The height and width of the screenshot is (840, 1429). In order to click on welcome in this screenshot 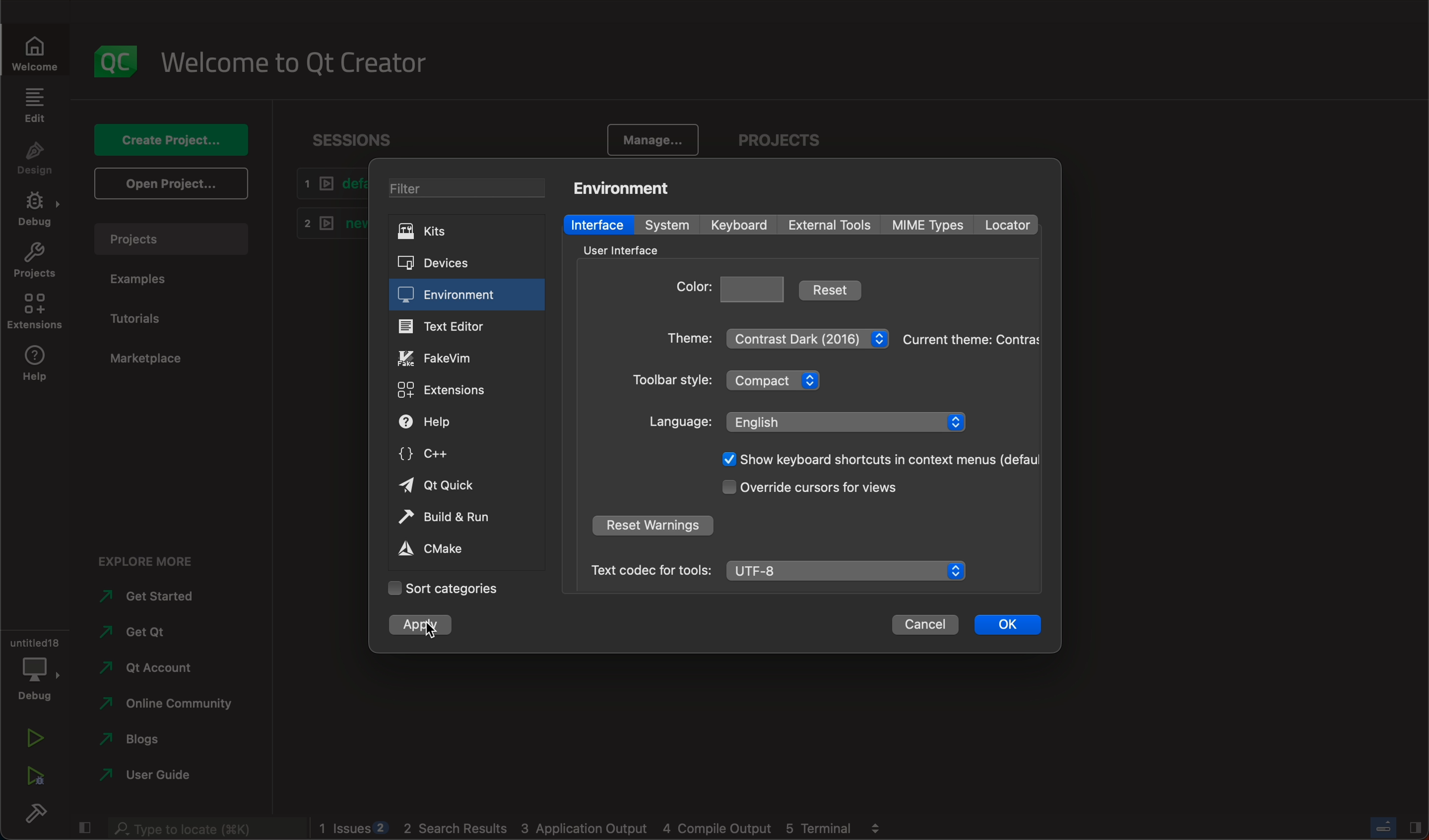, I will do `click(293, 60)`.